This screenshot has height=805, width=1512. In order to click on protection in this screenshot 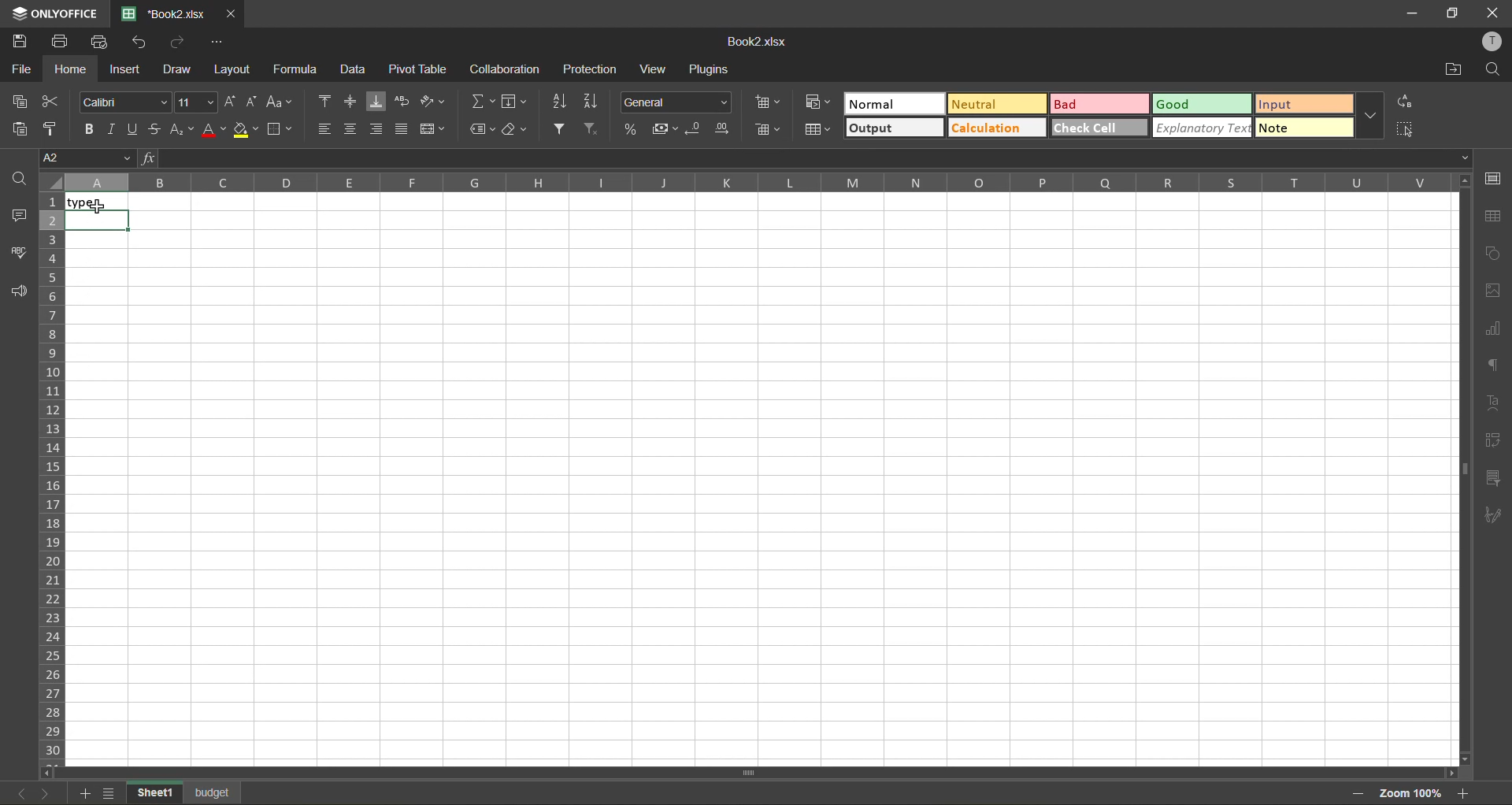, I will do `click(592, 70)`.